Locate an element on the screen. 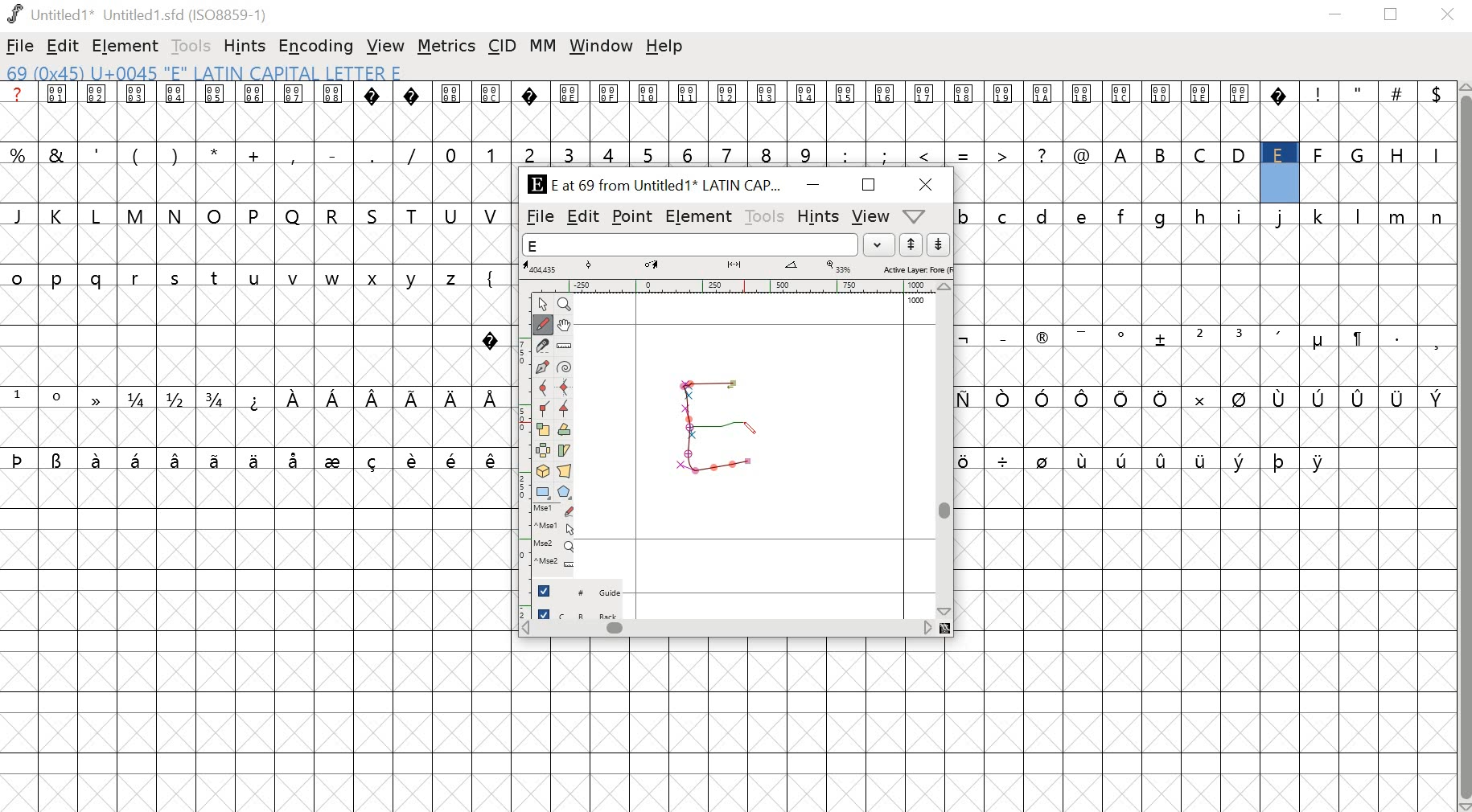 Image resolution: width=1472 pixels, height=812 pixels. PEN is located at coordinates (747, 429).